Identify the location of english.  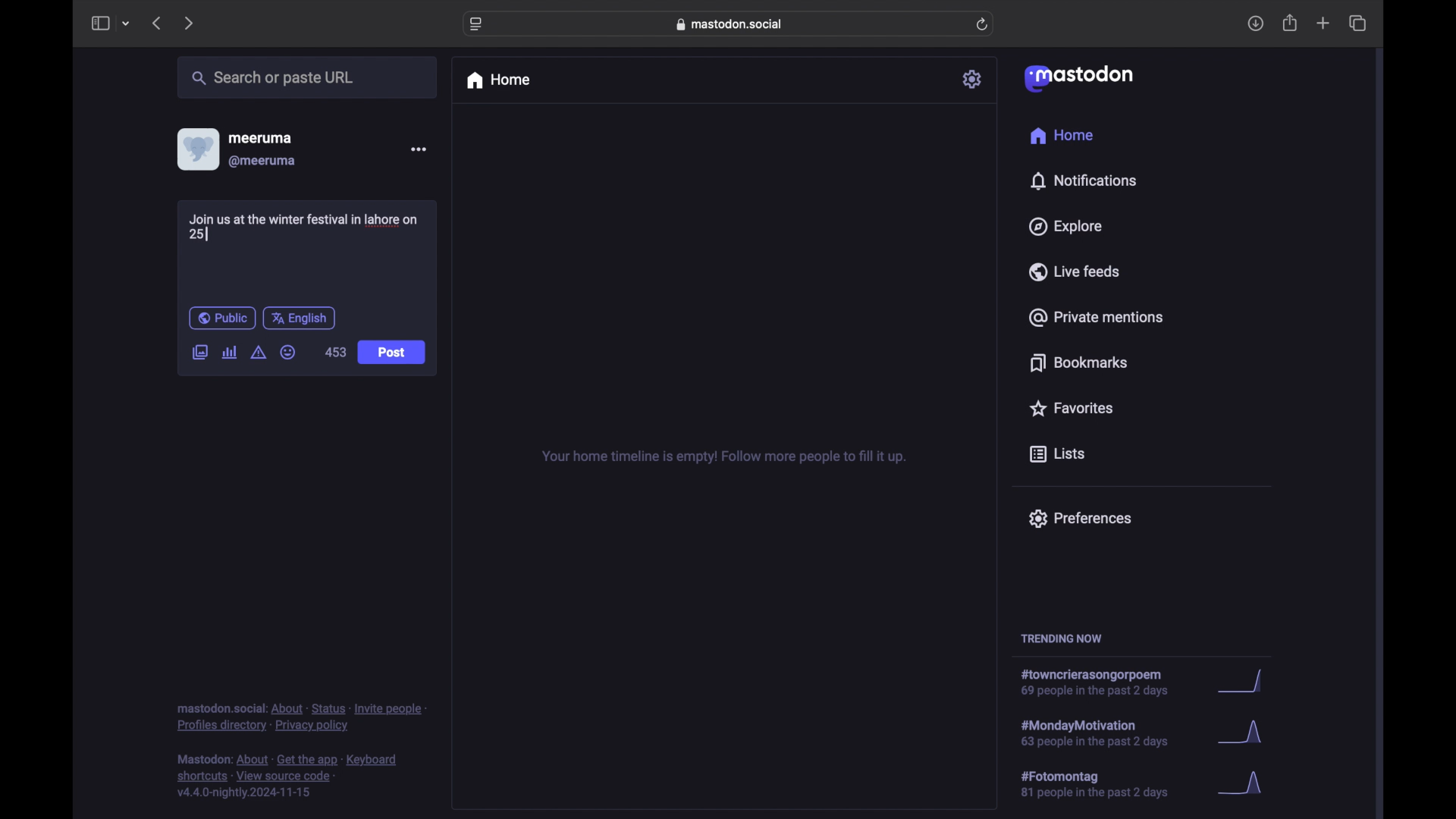
(300, 318).